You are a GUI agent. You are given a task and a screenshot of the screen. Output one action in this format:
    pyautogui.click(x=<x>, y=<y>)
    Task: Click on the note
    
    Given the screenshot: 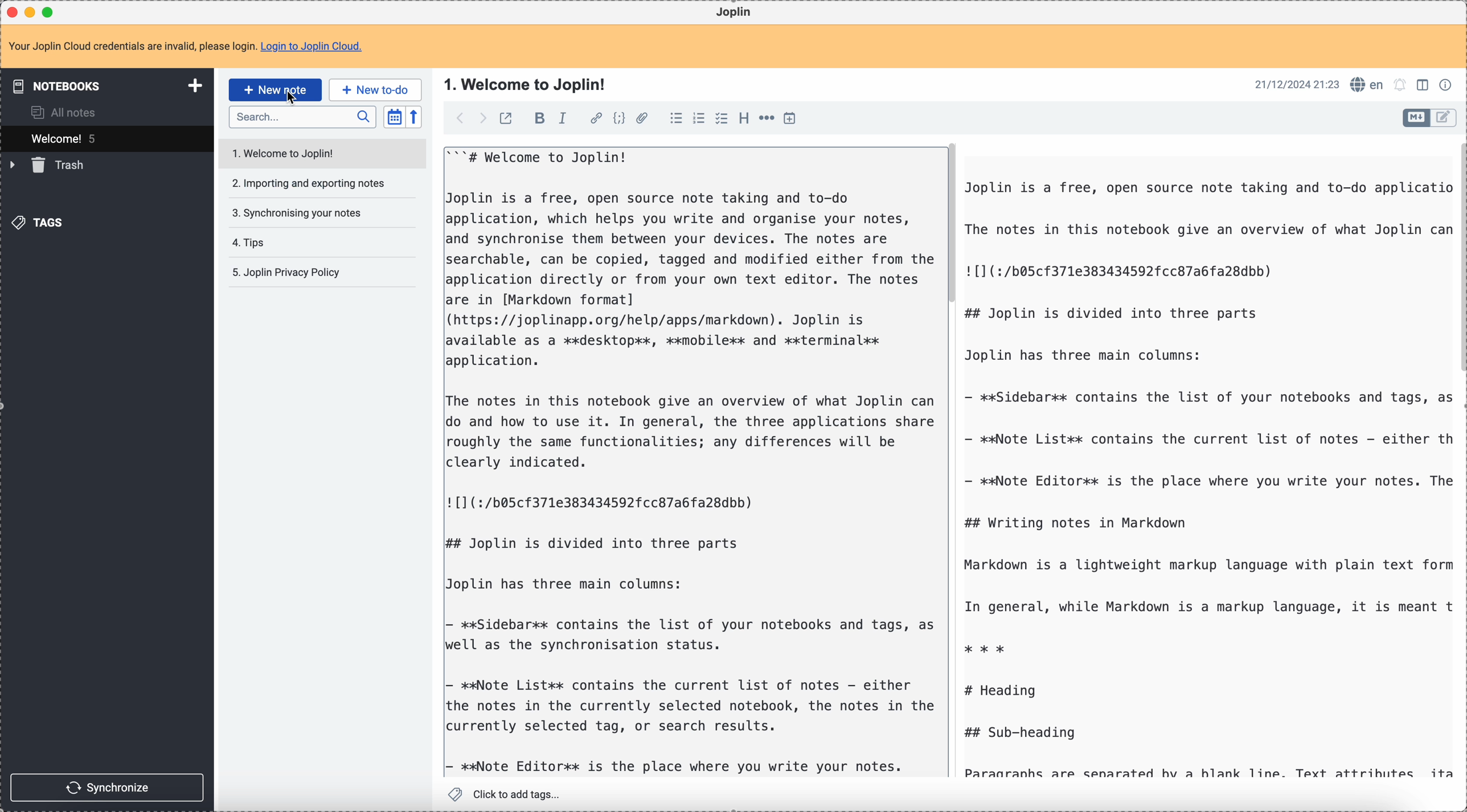 What is the action you would take?
    pyautogui.click(x=192, y=47)
    